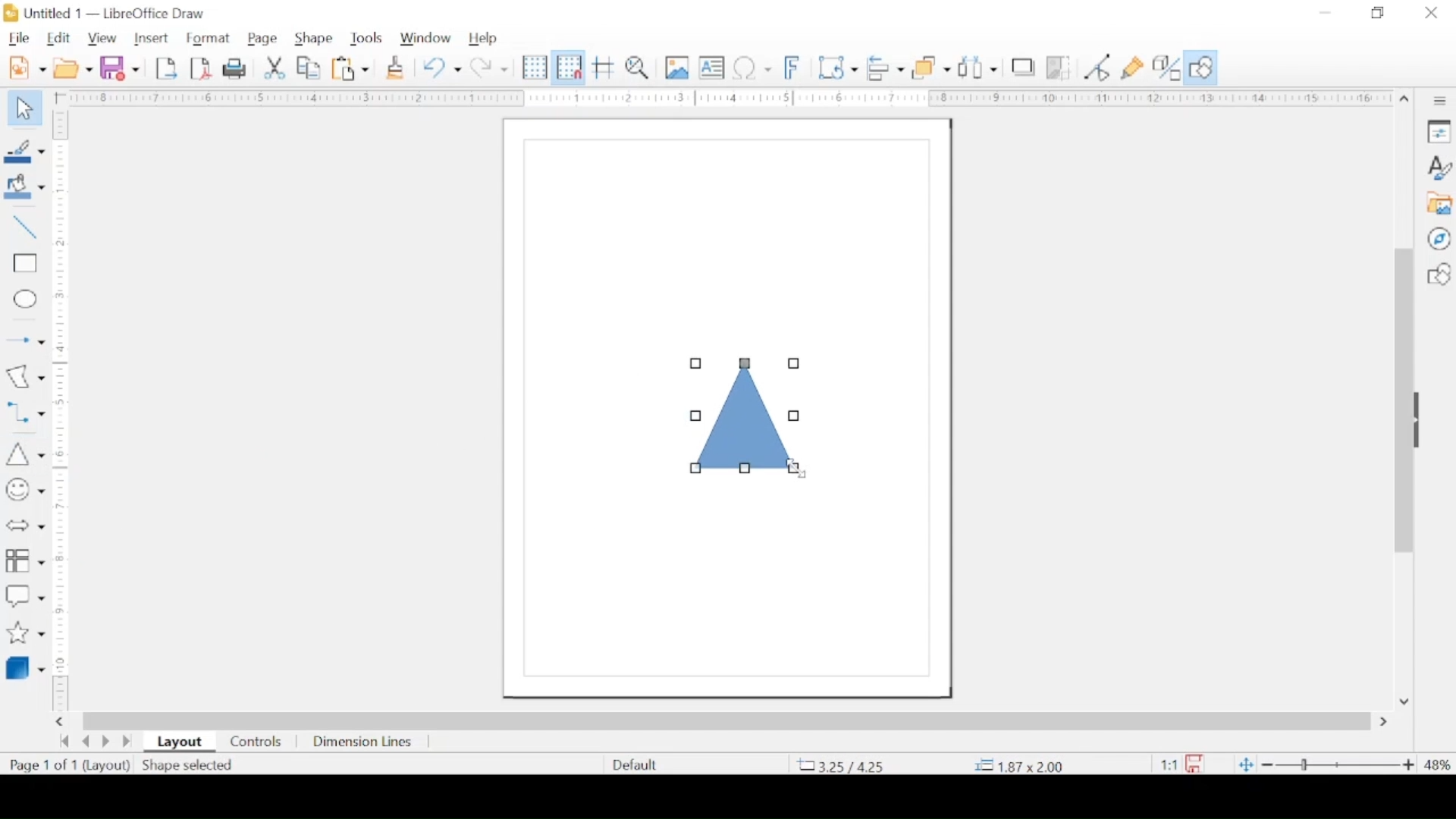  Describe the element at coordinates (1167, 67) in the screenshot. I see `toggle extrusion` at that location.